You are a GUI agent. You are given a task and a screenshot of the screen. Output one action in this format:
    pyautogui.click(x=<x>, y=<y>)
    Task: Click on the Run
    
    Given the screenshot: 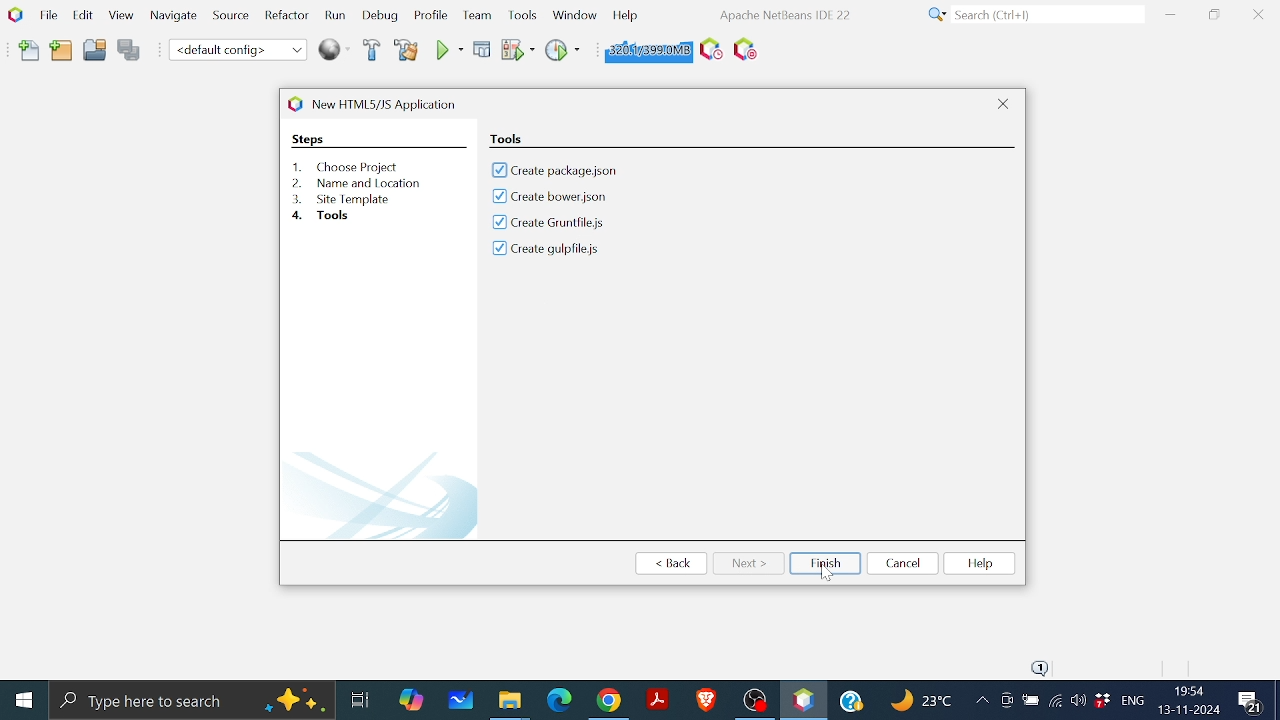 What is the action you would take?
    pyautogui.click(x=447, y=50)
    